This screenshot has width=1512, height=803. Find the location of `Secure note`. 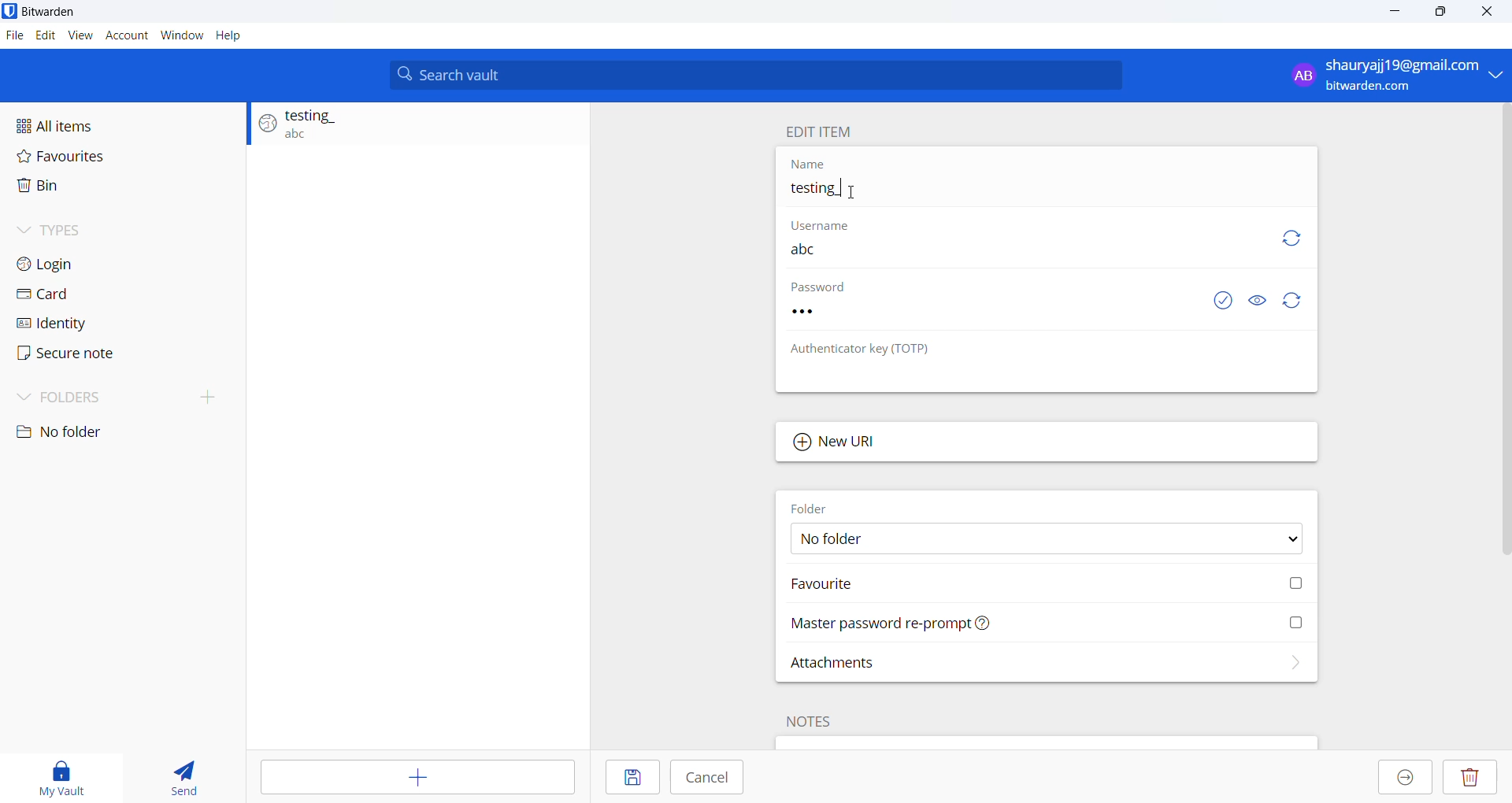

Secure note is located at coordinates (79, 354).